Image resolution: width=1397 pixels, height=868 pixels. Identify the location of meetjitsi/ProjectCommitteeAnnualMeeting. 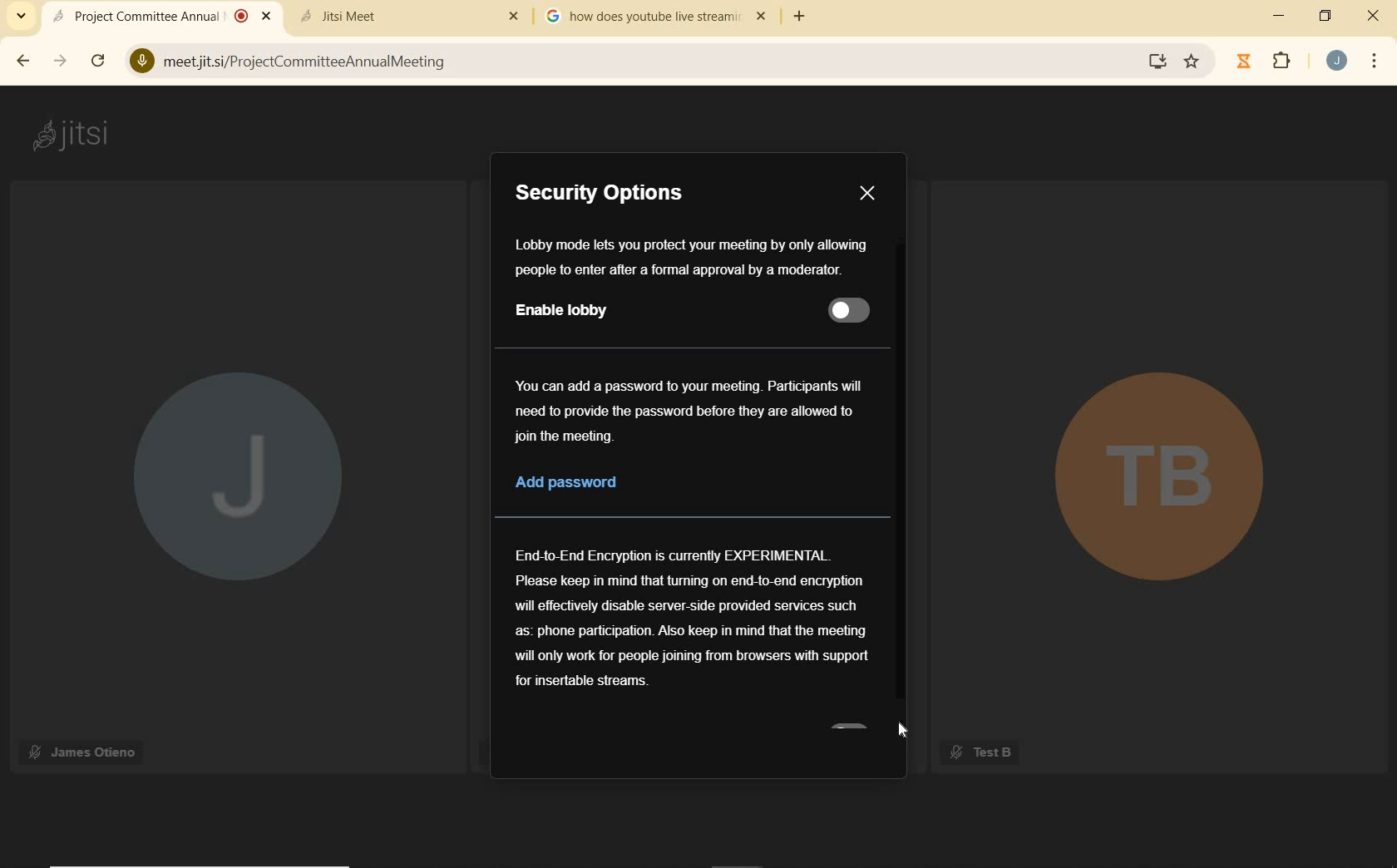
(635, 63).